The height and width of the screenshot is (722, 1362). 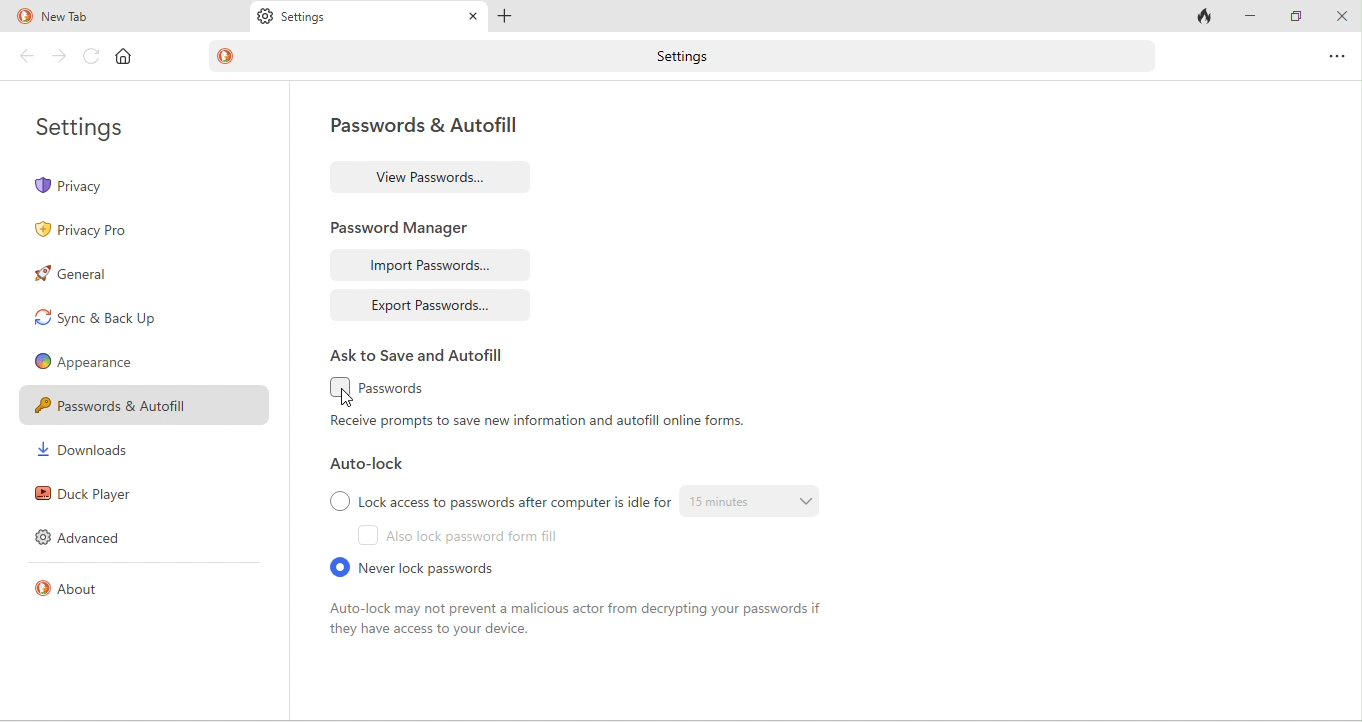 What do you see at coordinates (90, 55) in the screenshot?
I see `reload` at bounding box center [90, 55].